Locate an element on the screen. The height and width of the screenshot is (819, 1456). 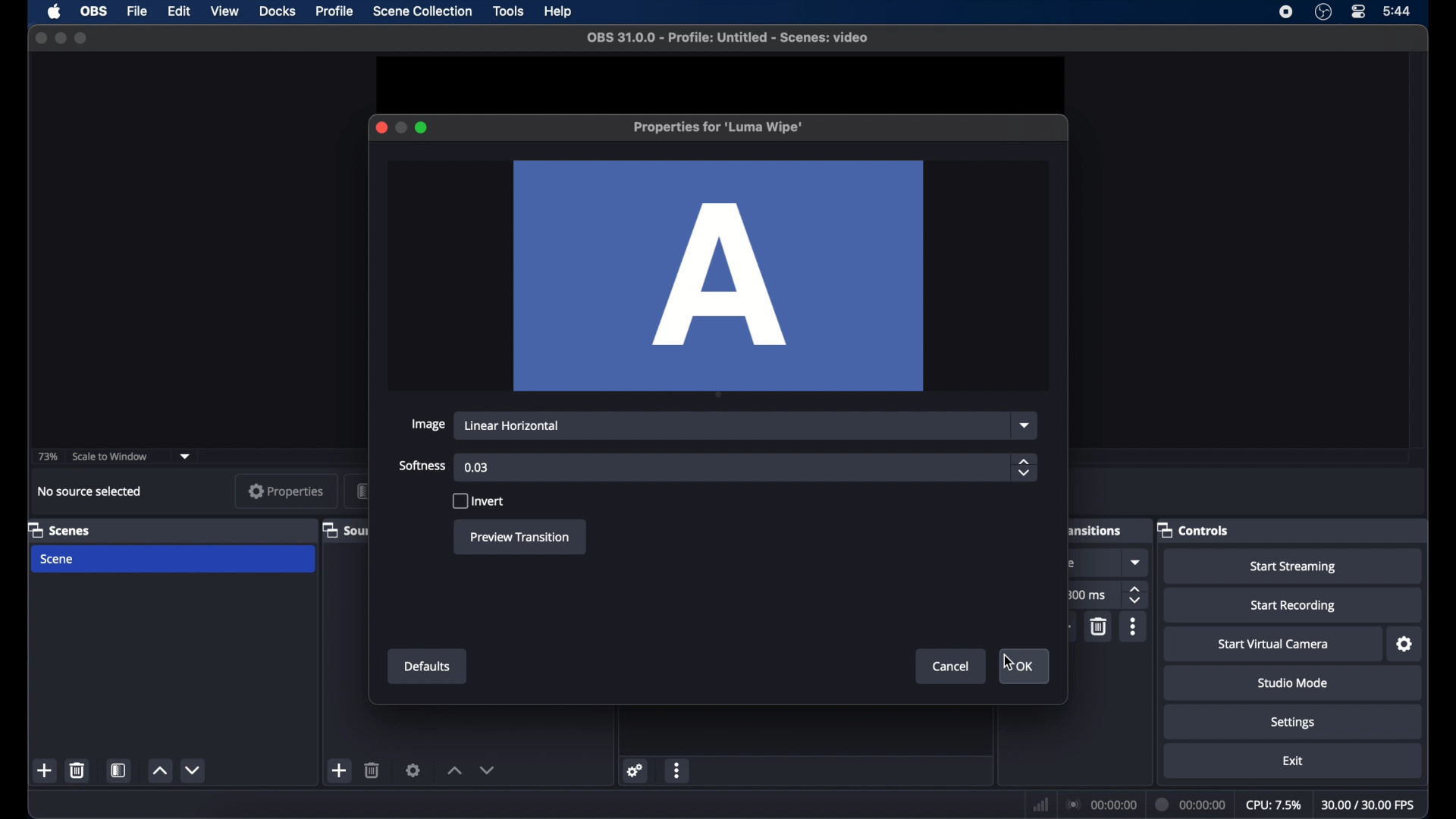
dropdown is located at coordinates (187, 455).